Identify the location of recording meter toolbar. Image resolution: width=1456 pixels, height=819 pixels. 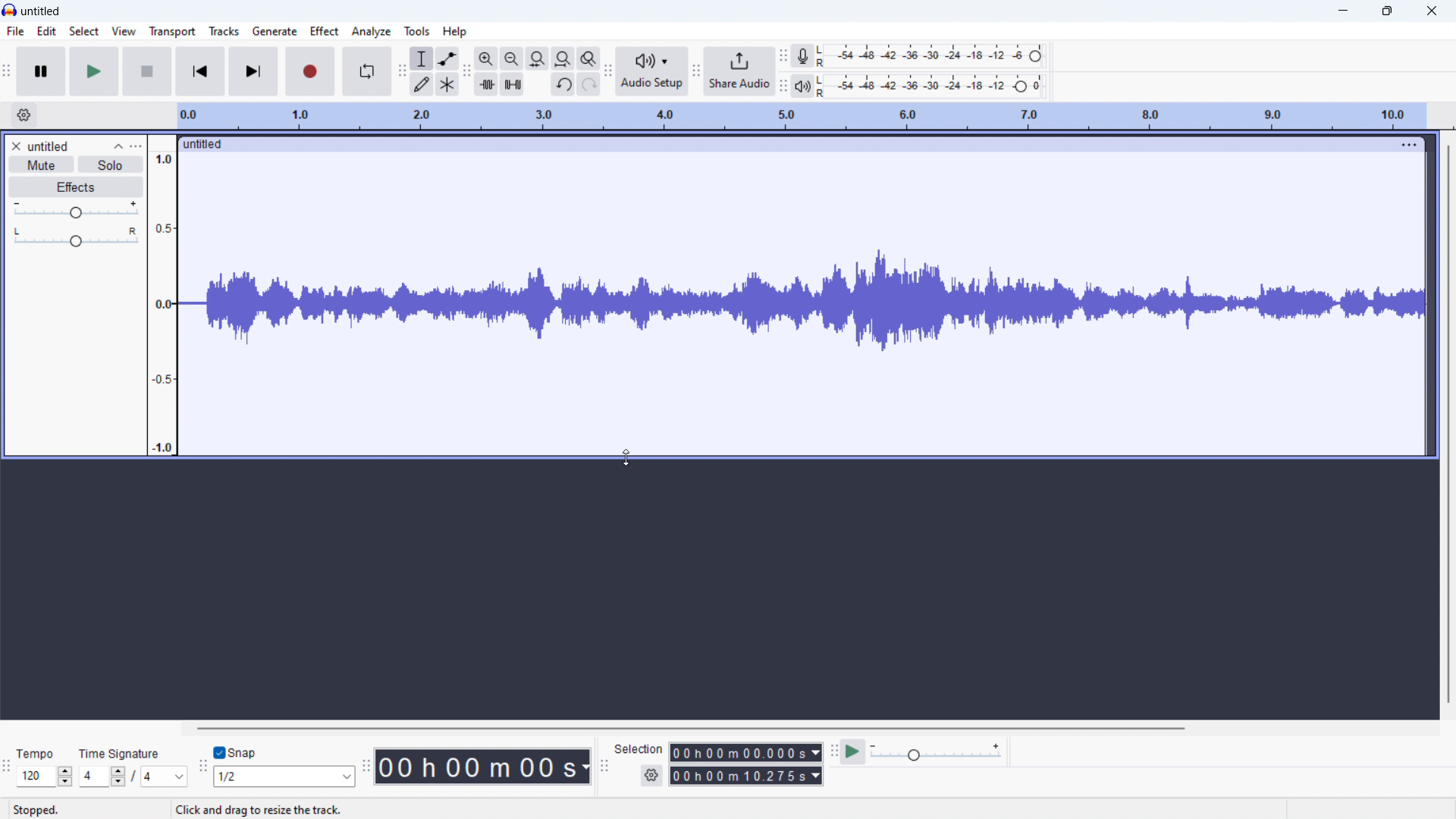
(784, 56).